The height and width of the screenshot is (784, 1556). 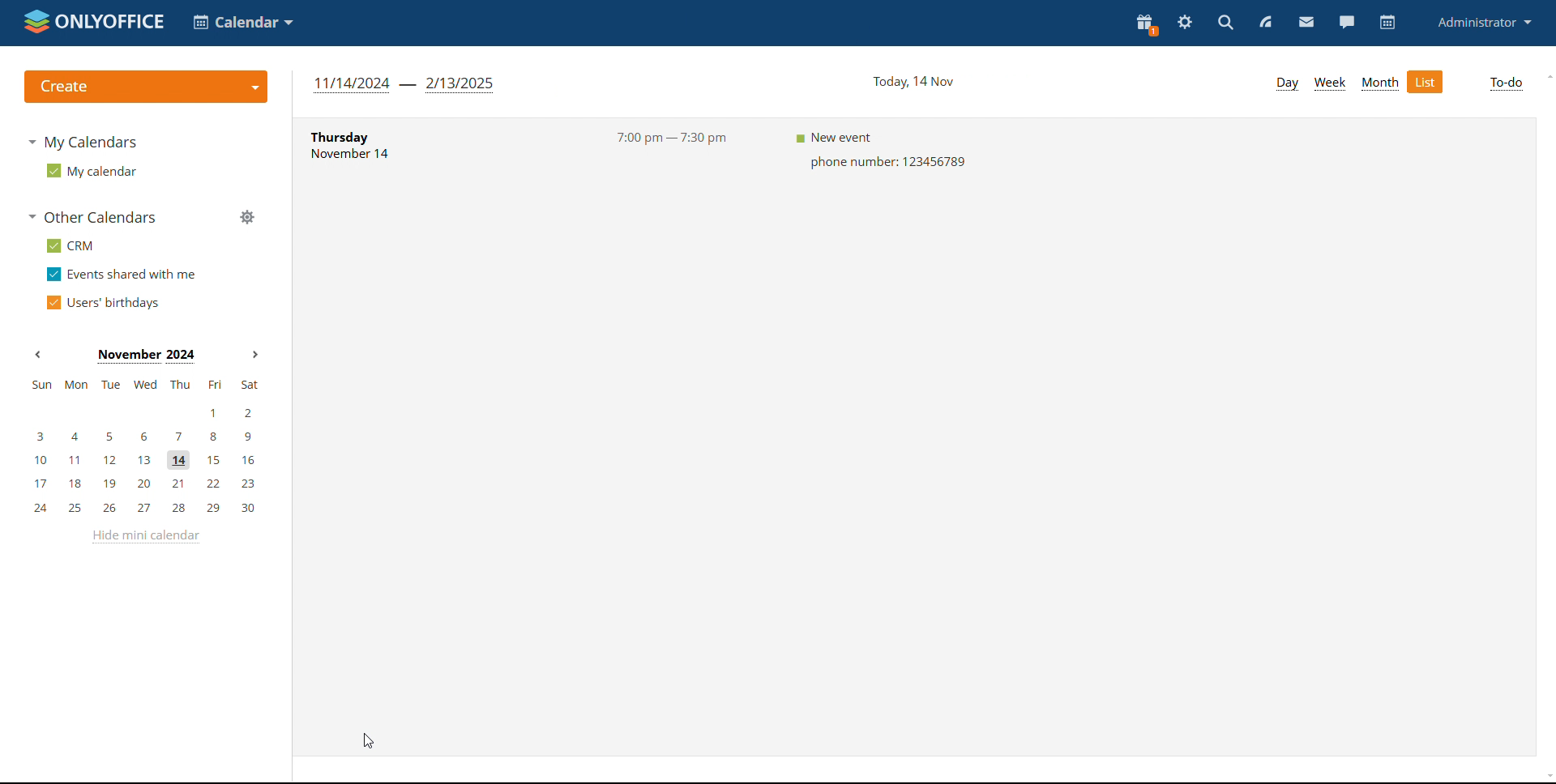 I want to click on previous month, so click(x=38, y=356).